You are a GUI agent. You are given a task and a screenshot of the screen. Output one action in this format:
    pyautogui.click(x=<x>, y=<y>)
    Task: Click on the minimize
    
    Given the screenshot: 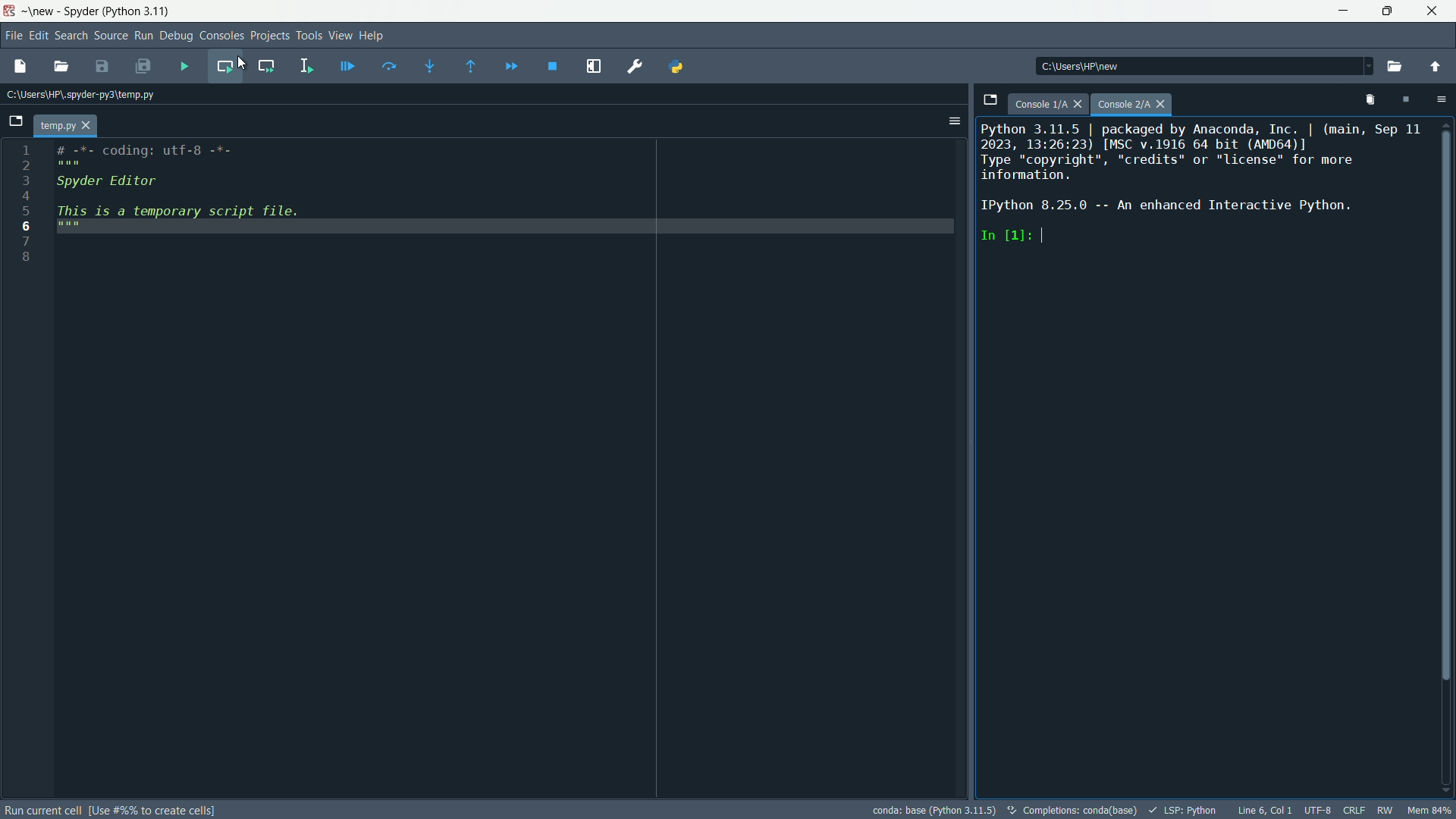 What is the action you would take?
    pyautogui.click(x=1346, y=12)
    